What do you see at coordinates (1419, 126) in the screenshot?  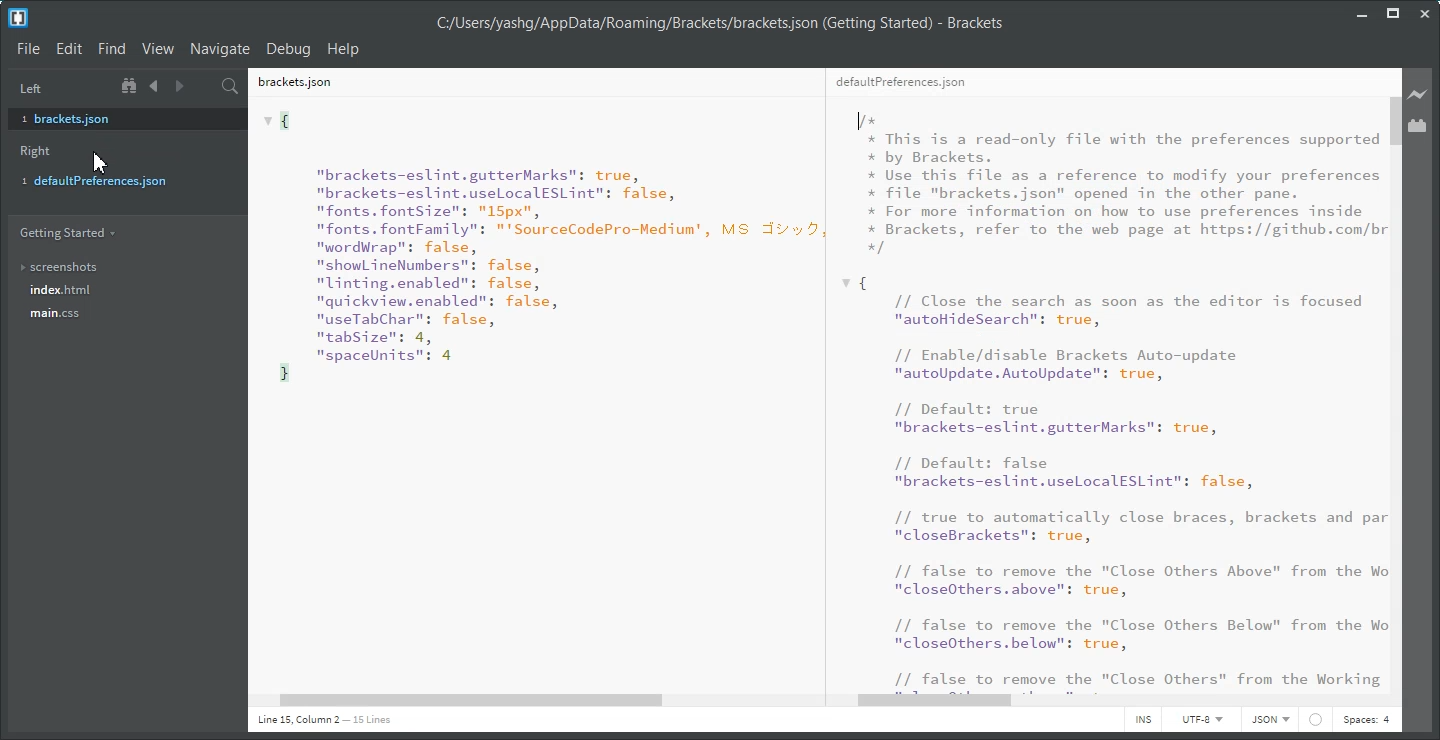 I see `Extension Manager` at bounding box center [1419, 126].